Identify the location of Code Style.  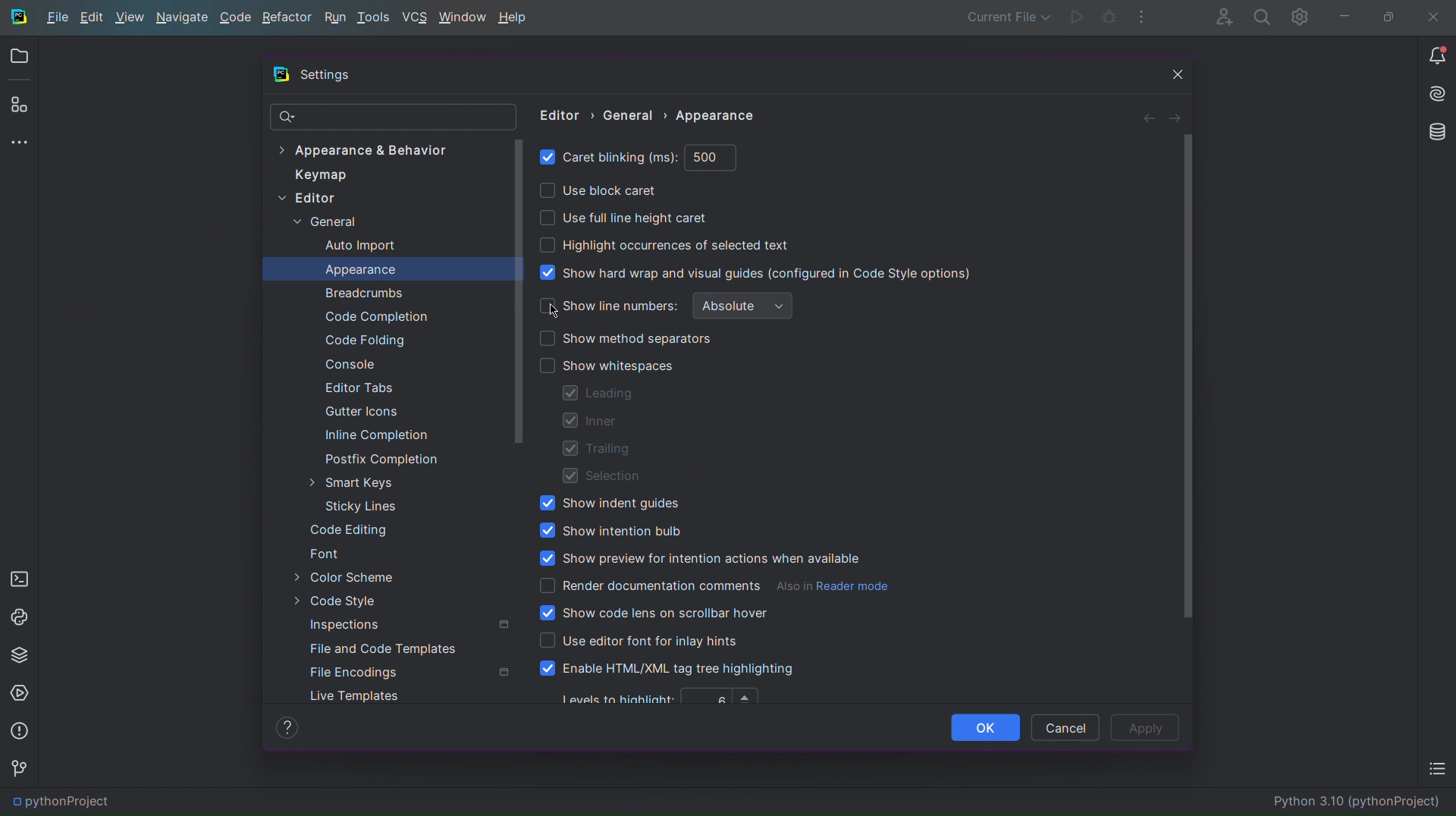
(352, 602).